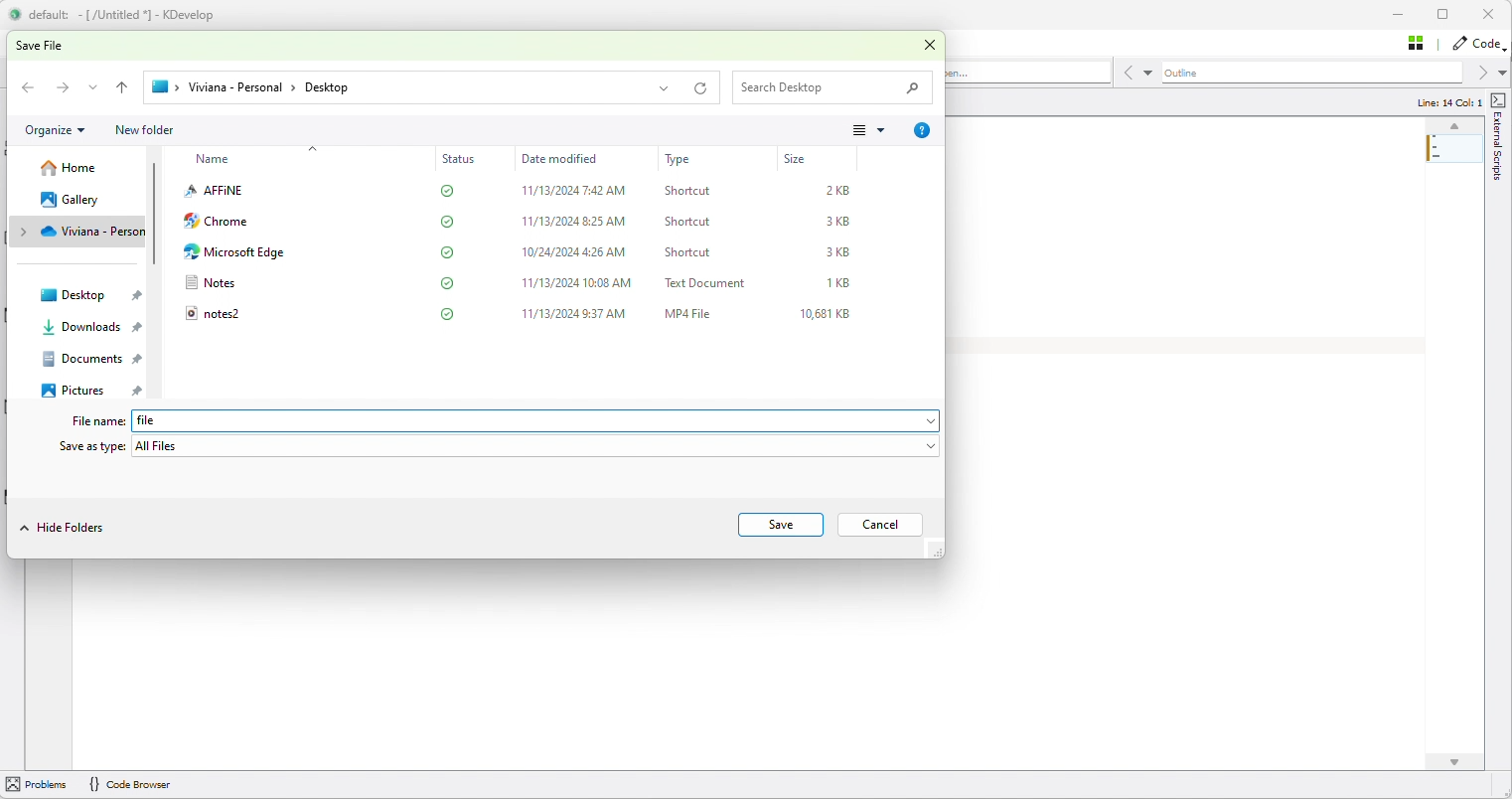 This screenshot has width=1512, height=799. Describe the element at coordinates (536, 446) in the screenshot. I see `All files` at that location.